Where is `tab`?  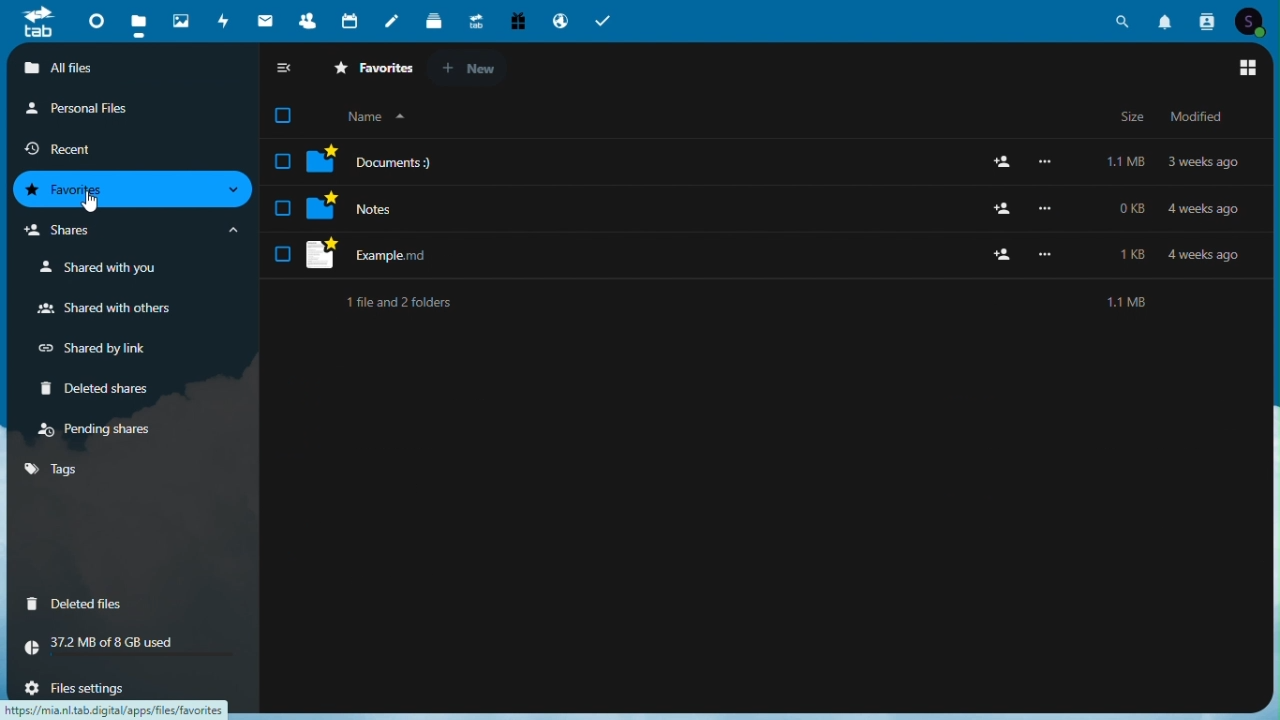 tab is located at coordinates (36, 25).